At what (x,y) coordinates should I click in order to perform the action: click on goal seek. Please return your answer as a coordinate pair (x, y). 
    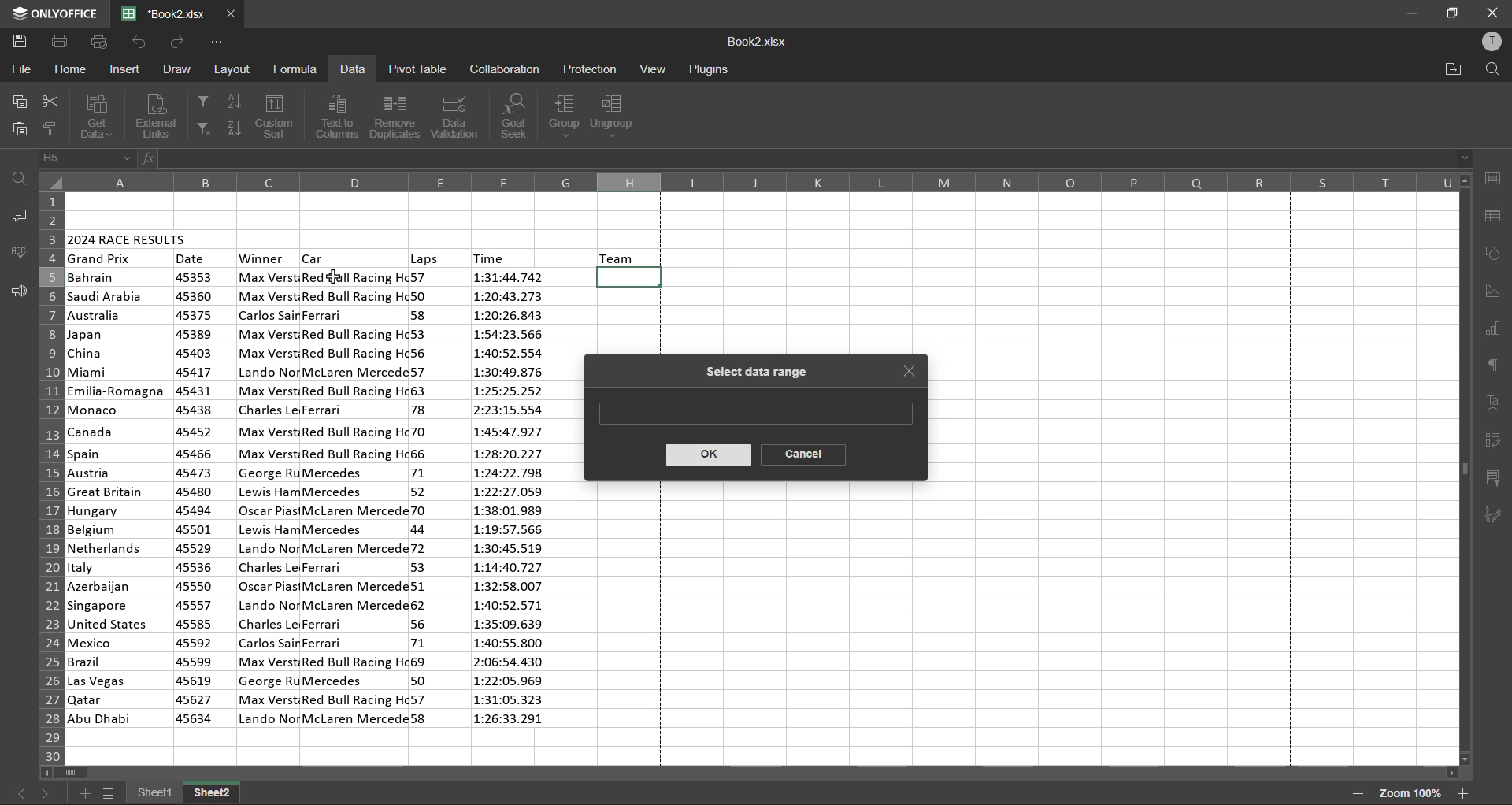
    Looking at the image, I should click on (518, 117).